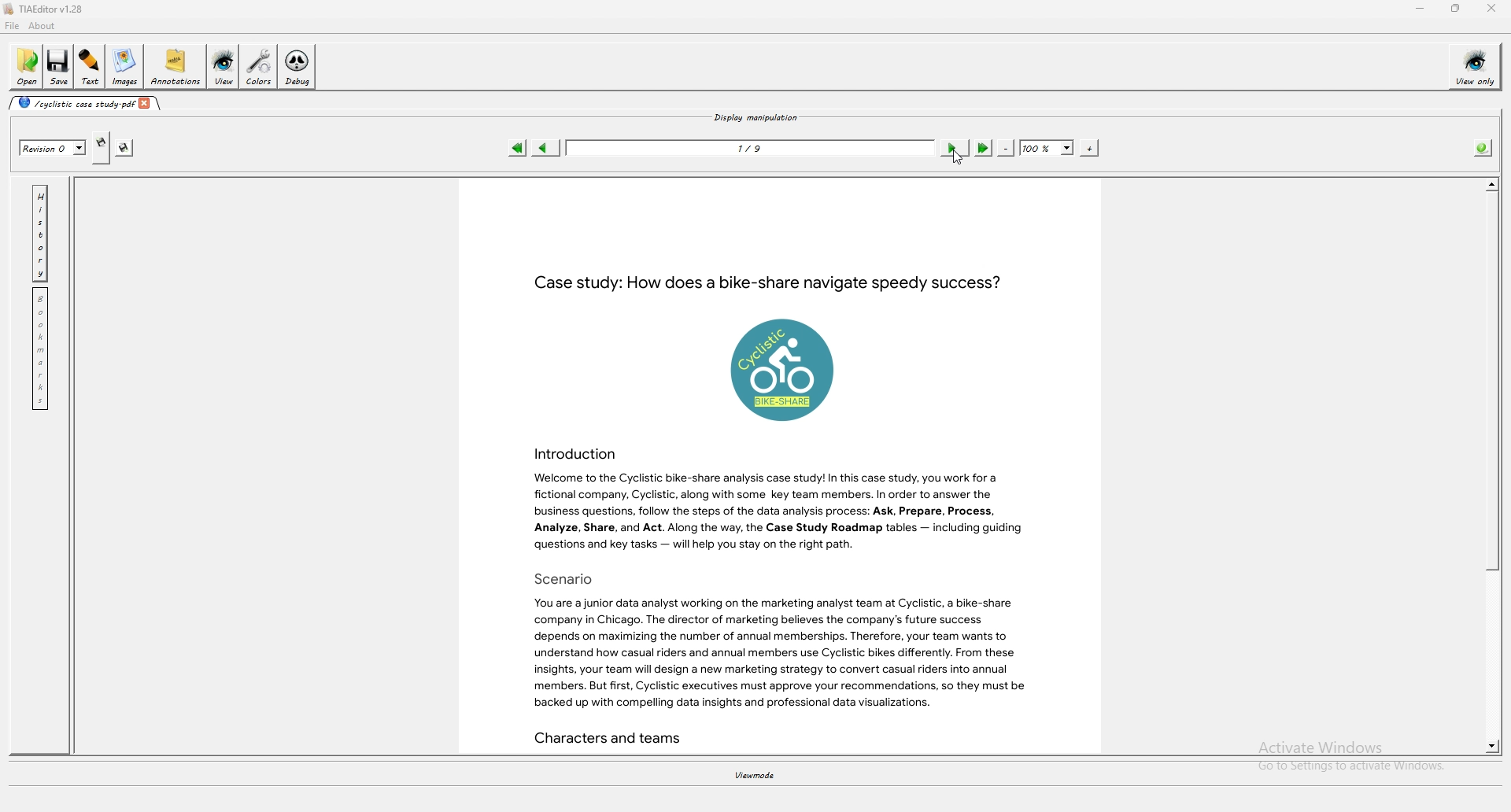 Image resolution: width=1511 pixels, height=812 pixels. I want to click on first page, so click(518, 147).